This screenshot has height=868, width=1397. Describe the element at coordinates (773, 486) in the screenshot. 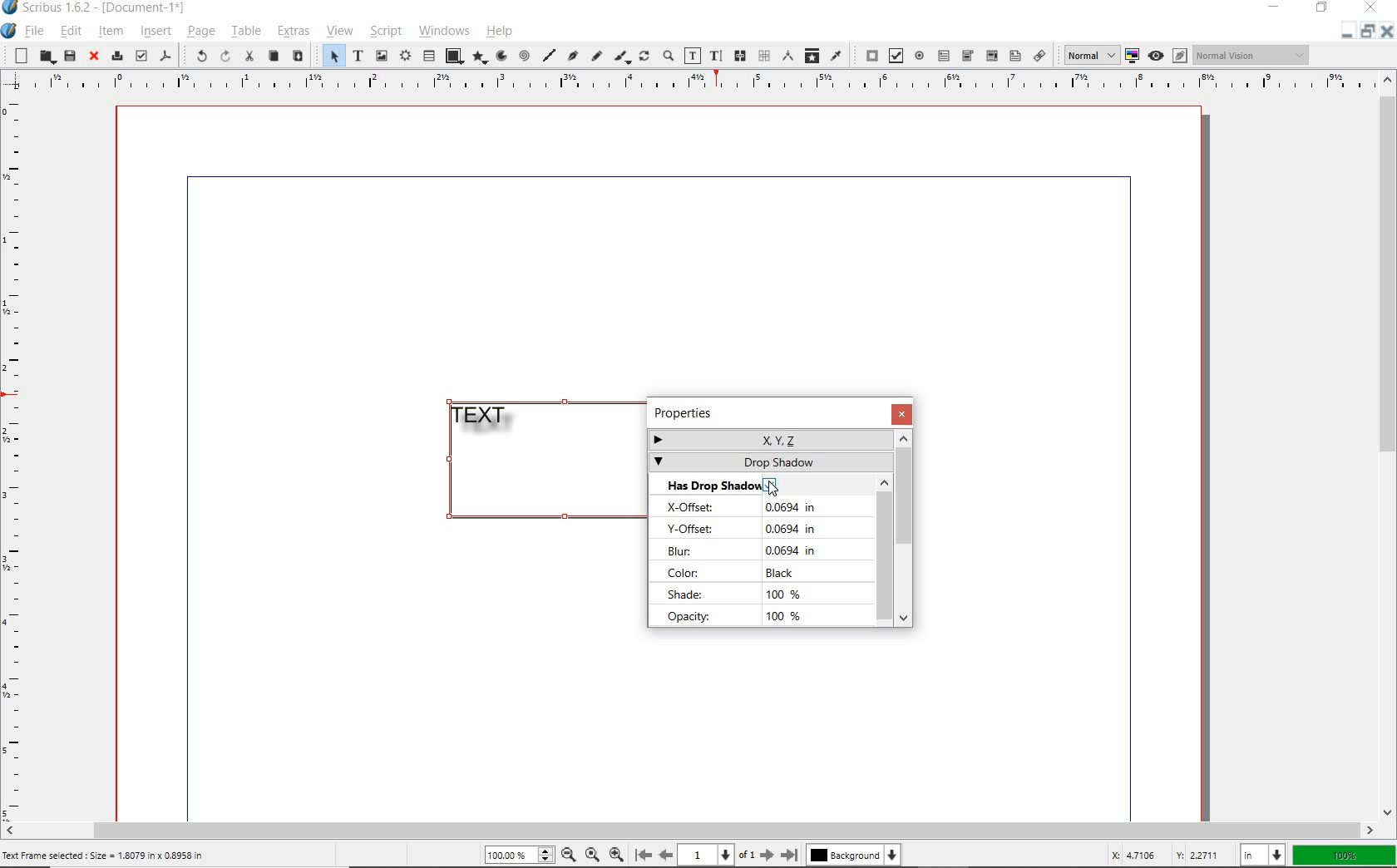

I see `Cursor Position` at that location.